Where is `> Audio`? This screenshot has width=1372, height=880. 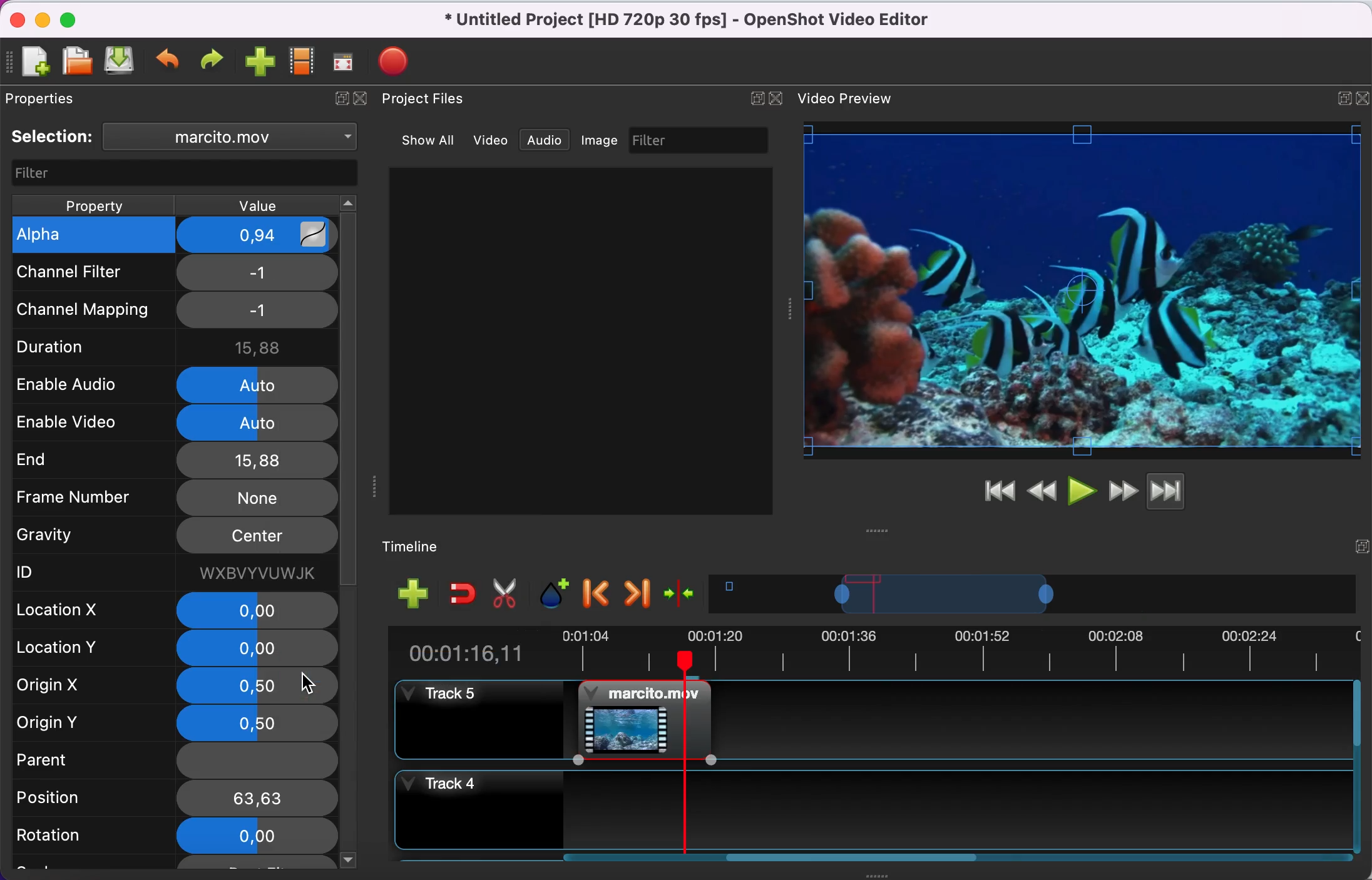
> Audio is located at coordinates (549, 141).